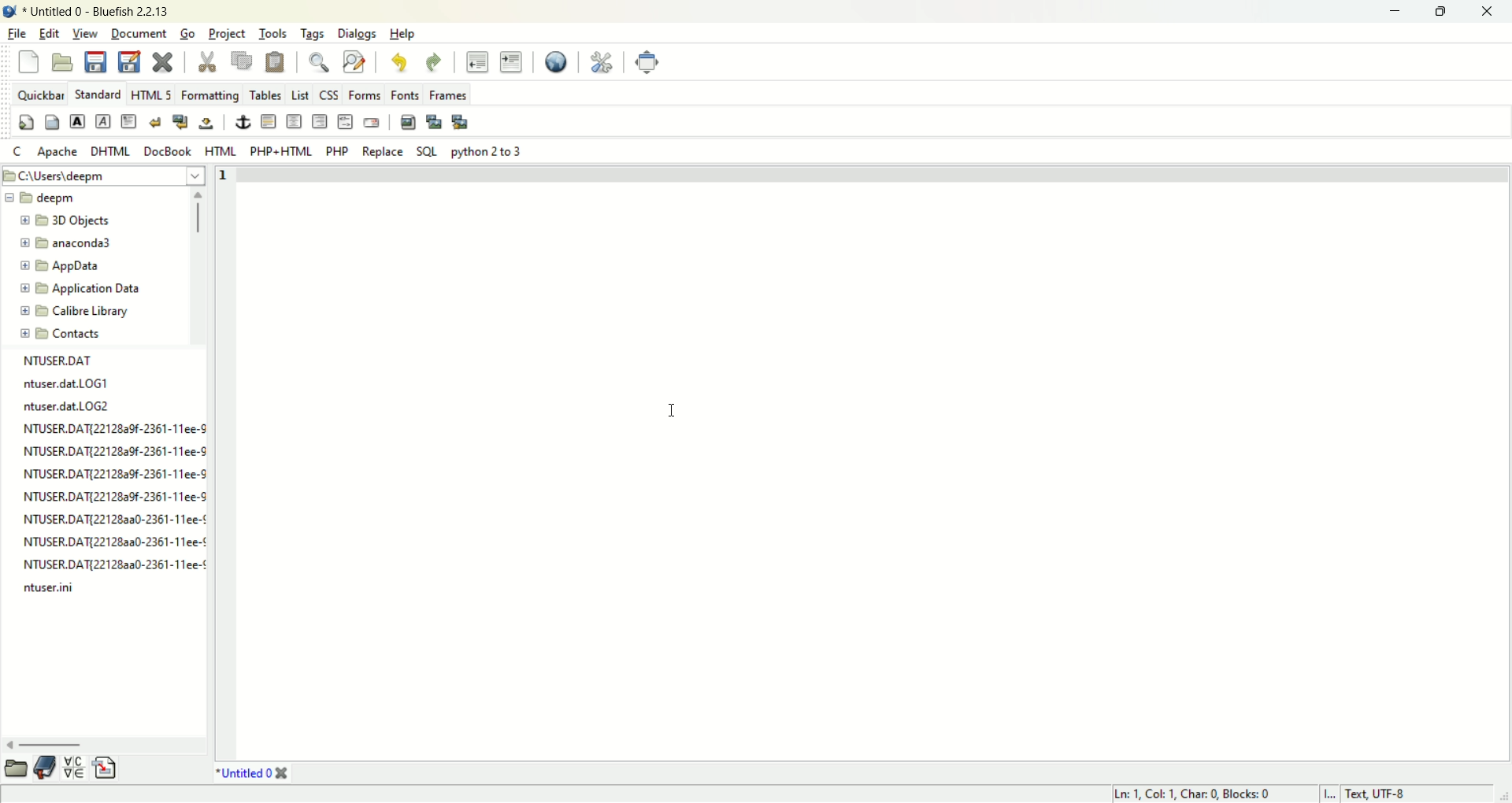 The width and height of the screenshot is (1512, 803). What do you see at coordinates (356, 34) in the screenshot?
I see `dialogs` at bounding box center [356, 34].